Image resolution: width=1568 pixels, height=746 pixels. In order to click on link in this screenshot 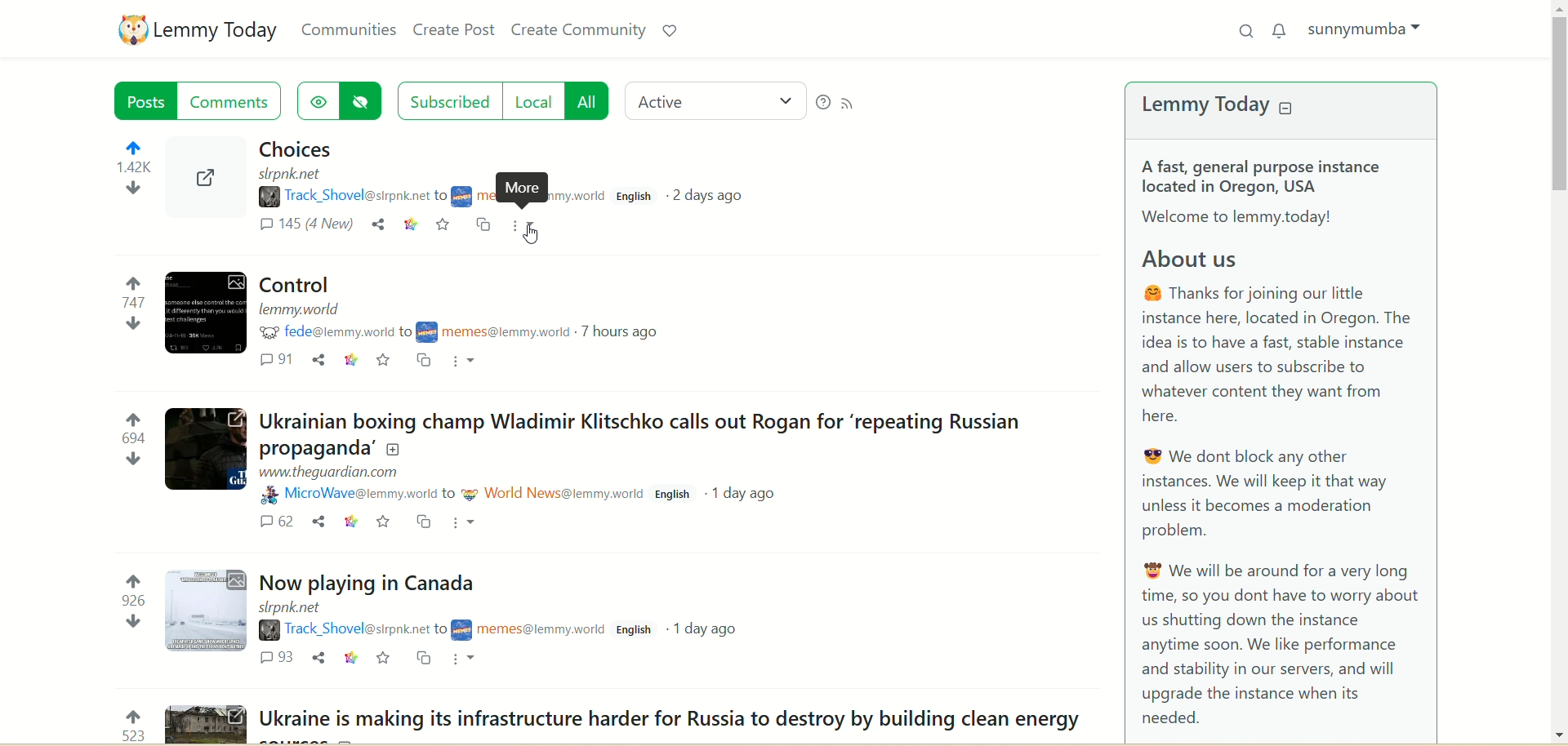, I will do `click(348, 521)`.